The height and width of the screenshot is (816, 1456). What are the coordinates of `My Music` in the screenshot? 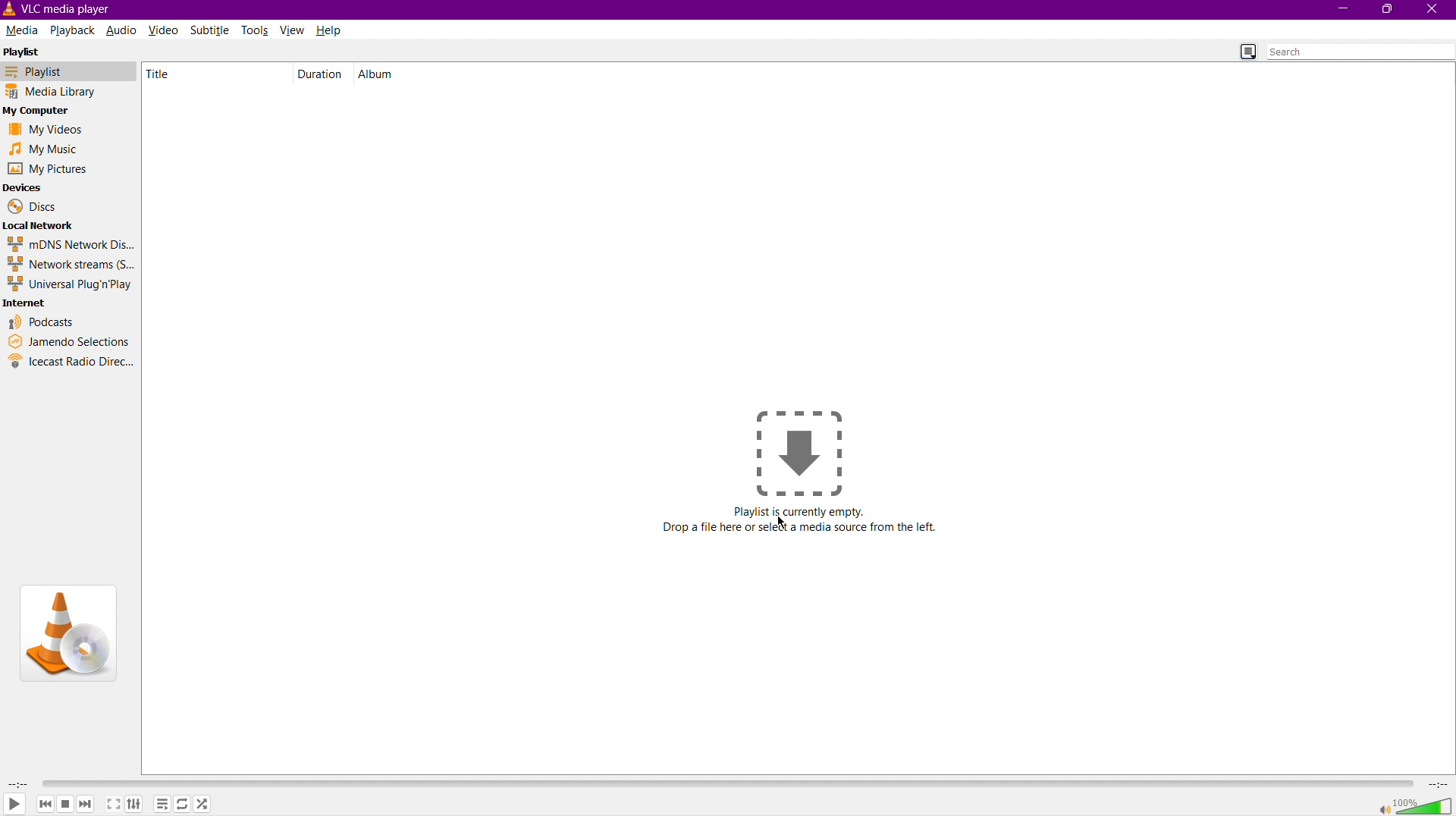 It's located at (45, 150).